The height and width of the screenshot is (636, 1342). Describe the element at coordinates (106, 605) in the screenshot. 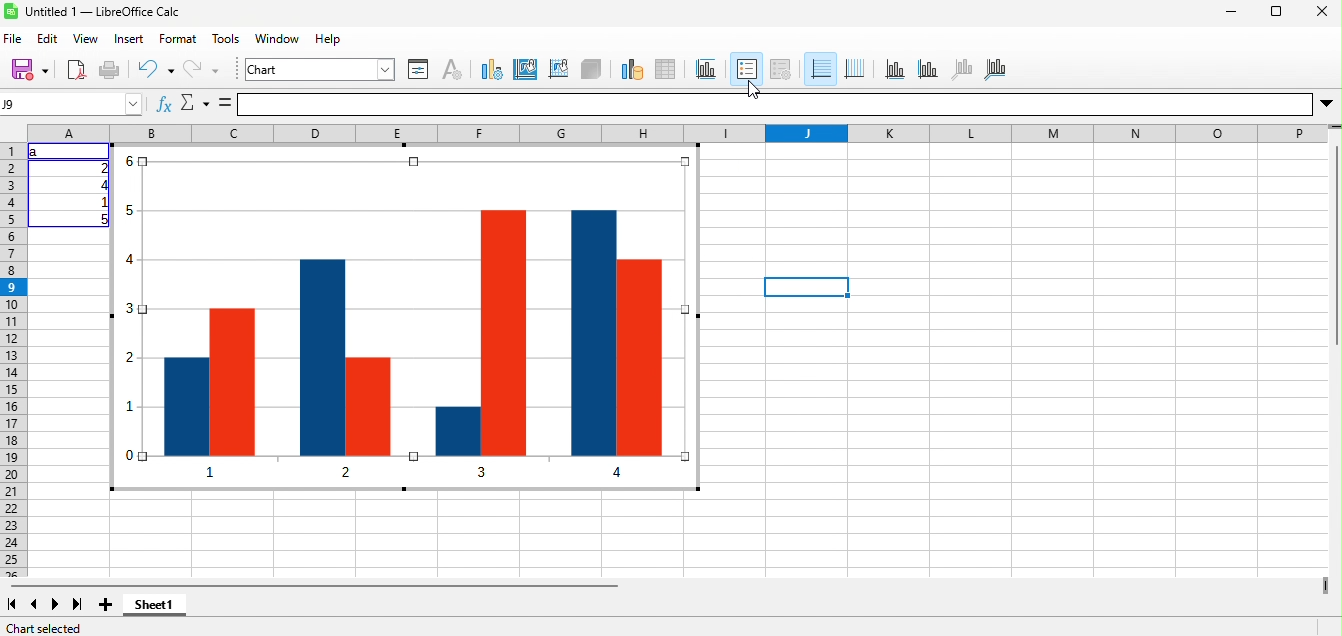

I see `add sheet` at that location.